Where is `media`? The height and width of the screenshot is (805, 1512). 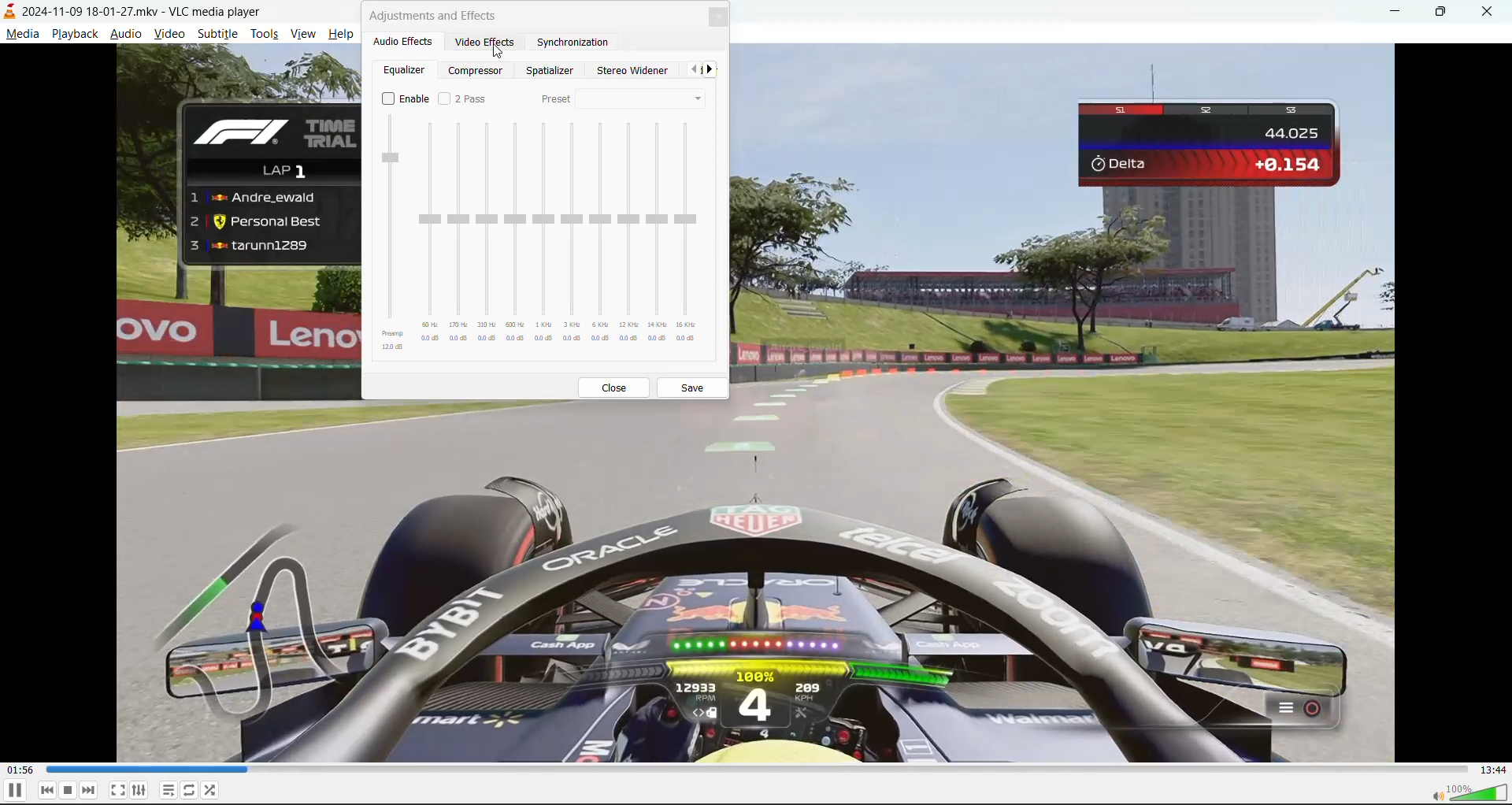 media is located at coordinates (24, 35).